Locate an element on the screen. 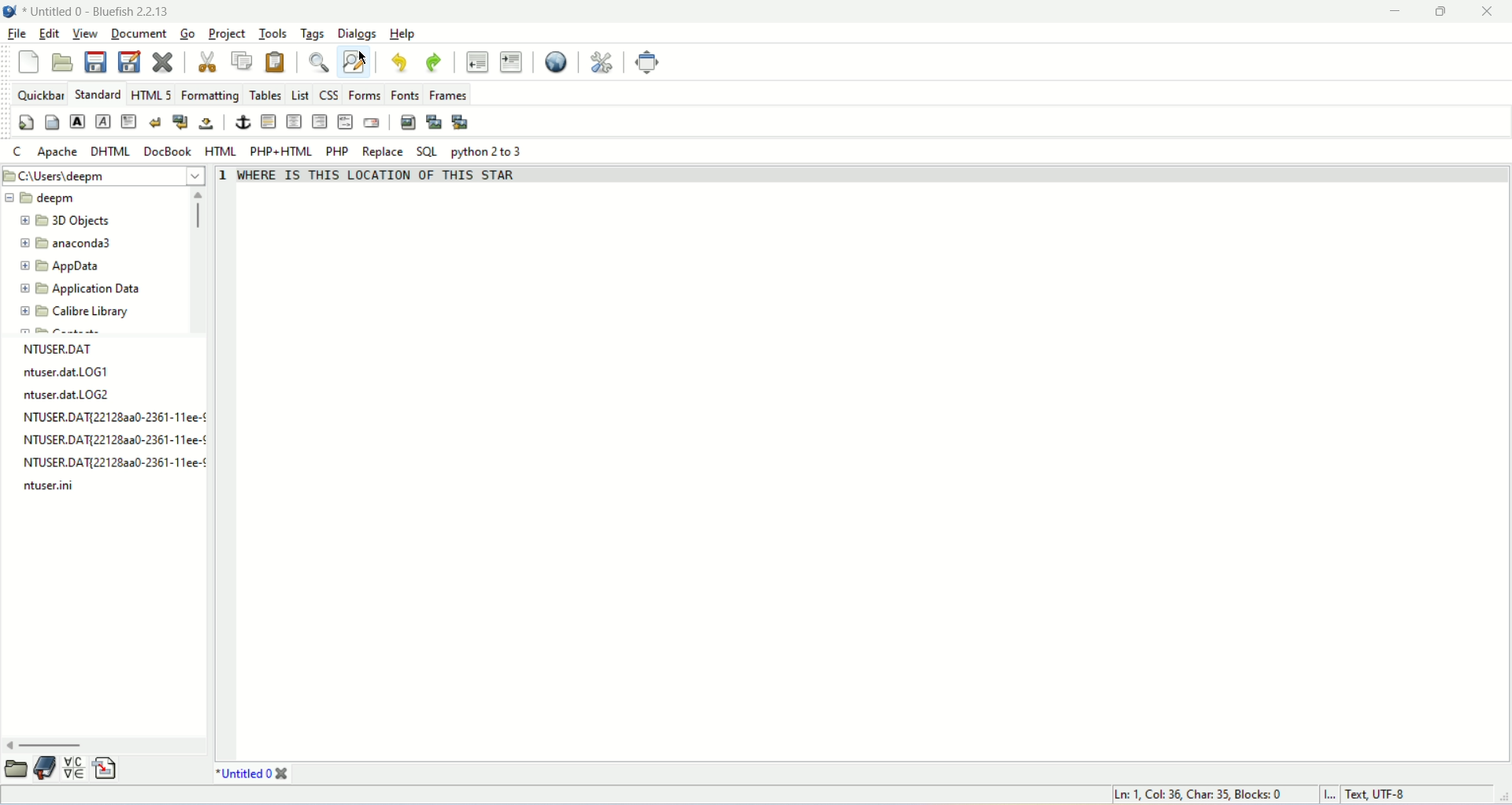 The width and height of the screenshot is (1512, 805). anchor is located at coordinates (242, 122).